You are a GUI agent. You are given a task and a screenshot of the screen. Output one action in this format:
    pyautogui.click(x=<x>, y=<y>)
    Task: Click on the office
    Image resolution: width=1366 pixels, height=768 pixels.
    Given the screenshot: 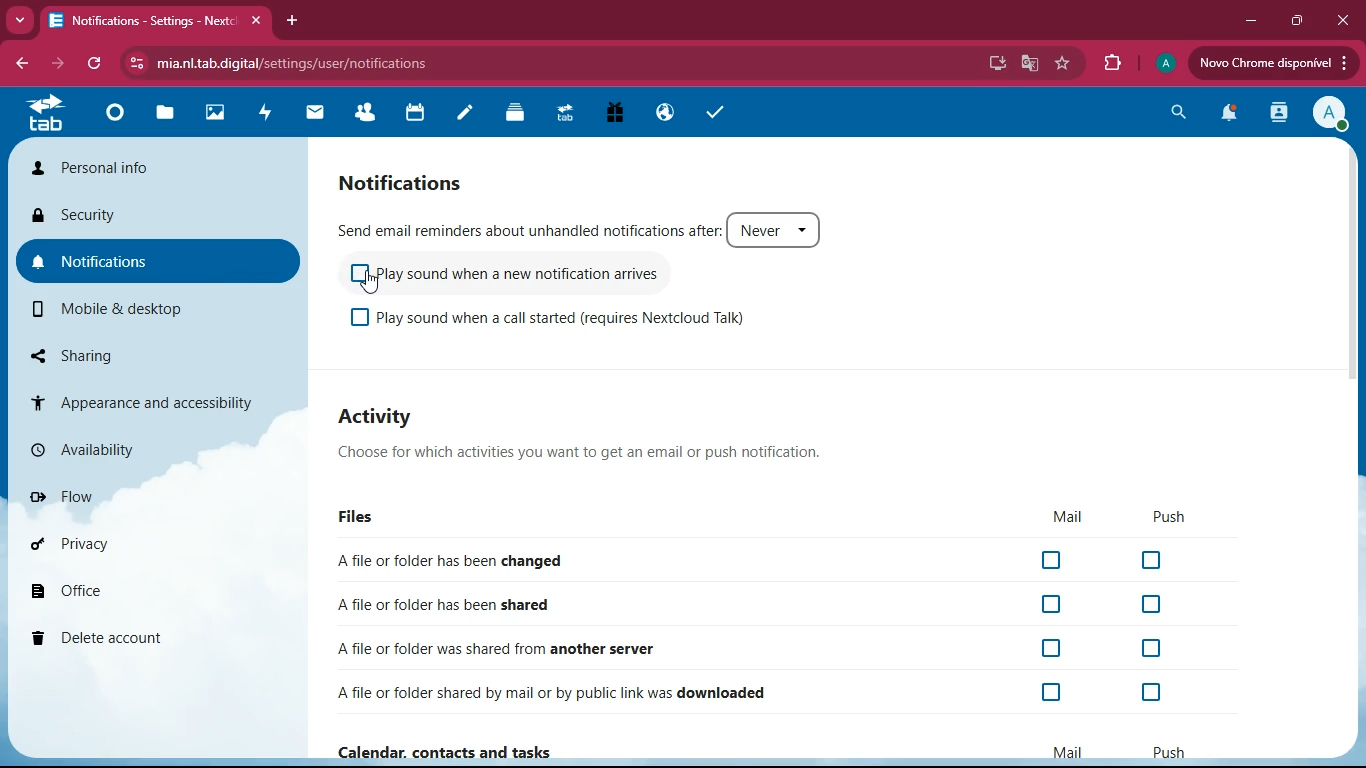 What is the action you would take?
    pyautogui.click(x=116, y=591)
    